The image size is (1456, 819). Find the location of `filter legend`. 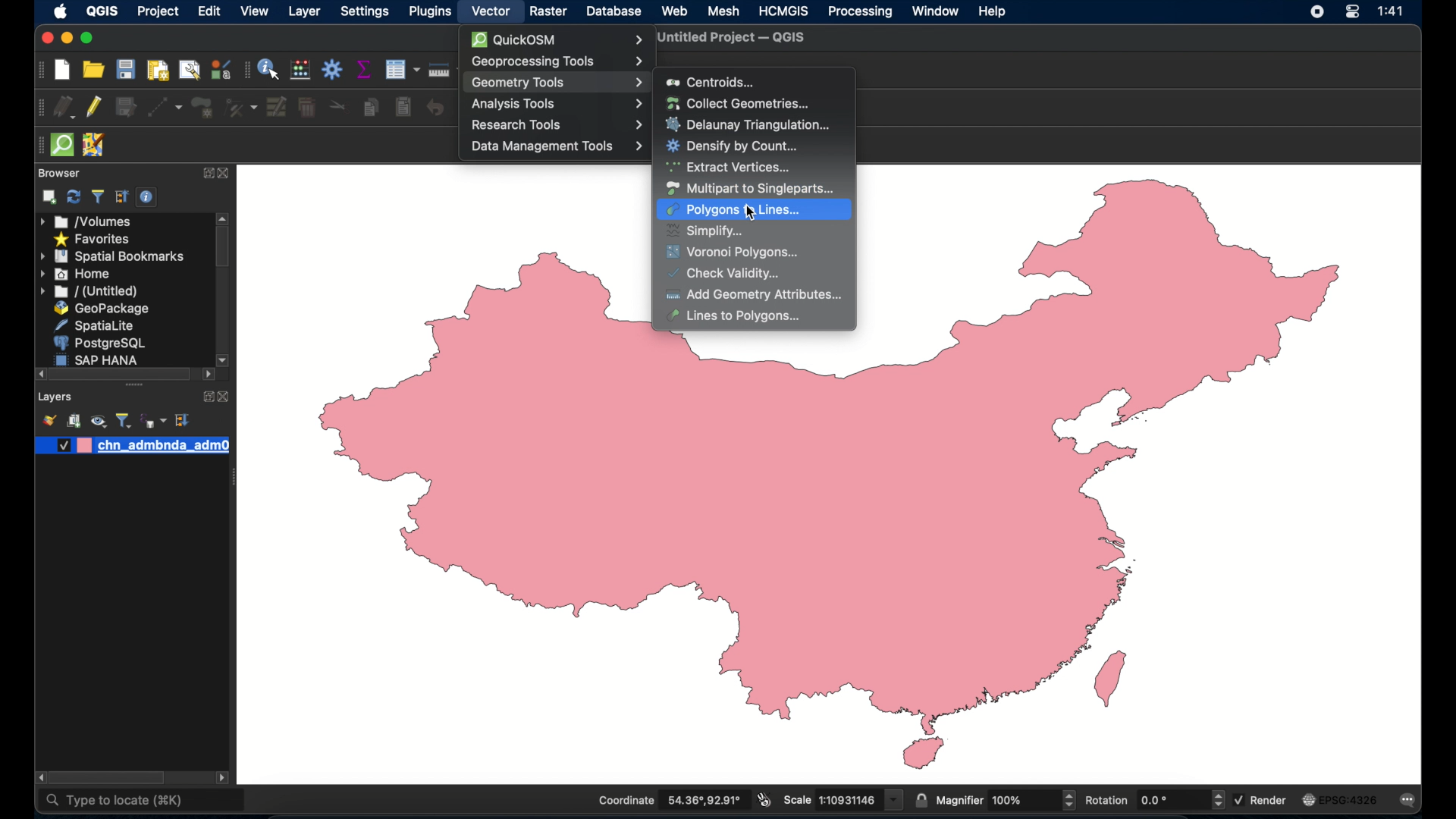

filter legend is located at coordinates (124, 420).